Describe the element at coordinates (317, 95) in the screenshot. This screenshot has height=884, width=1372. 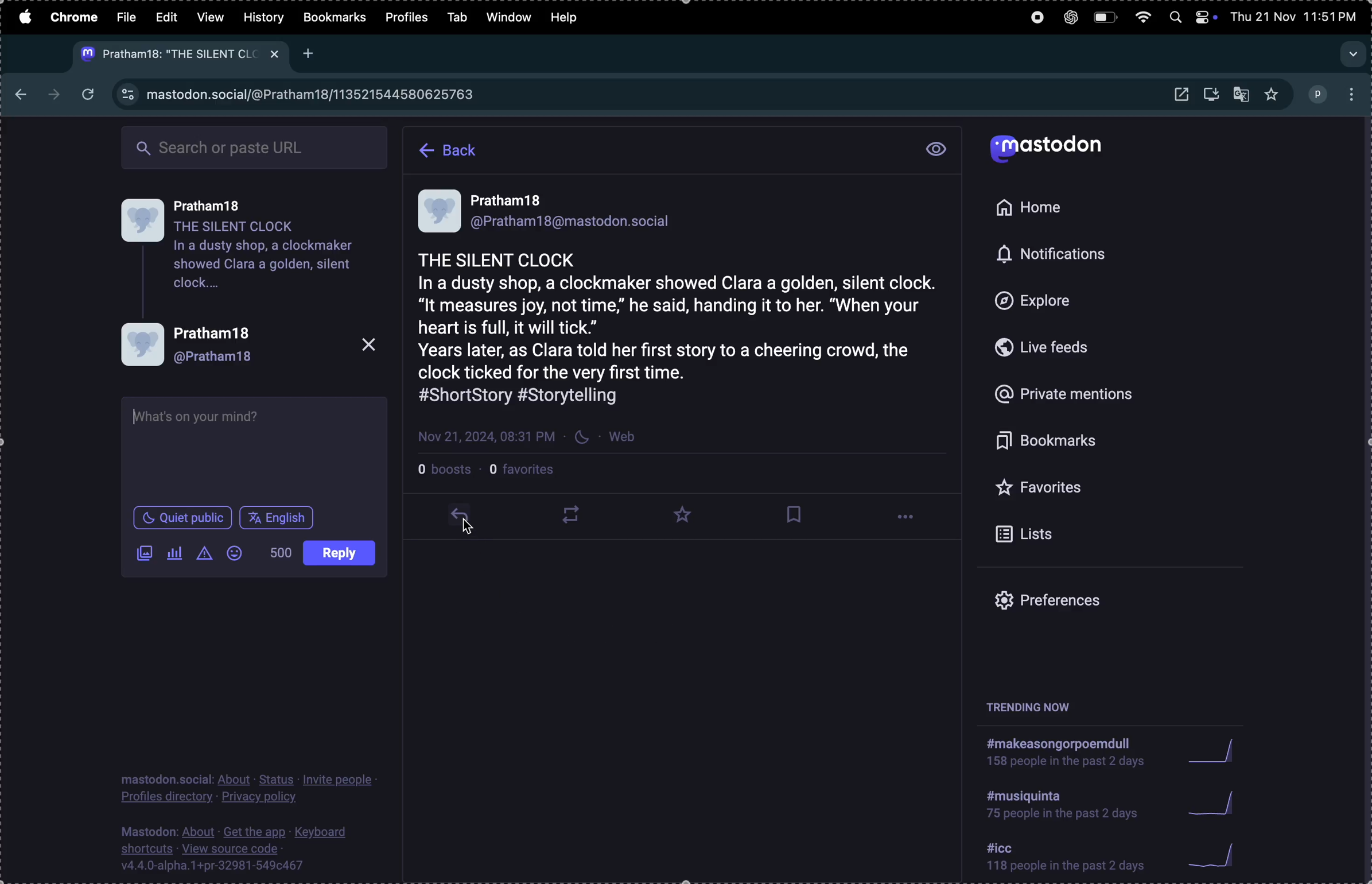
I see `mastodon url` at that location.